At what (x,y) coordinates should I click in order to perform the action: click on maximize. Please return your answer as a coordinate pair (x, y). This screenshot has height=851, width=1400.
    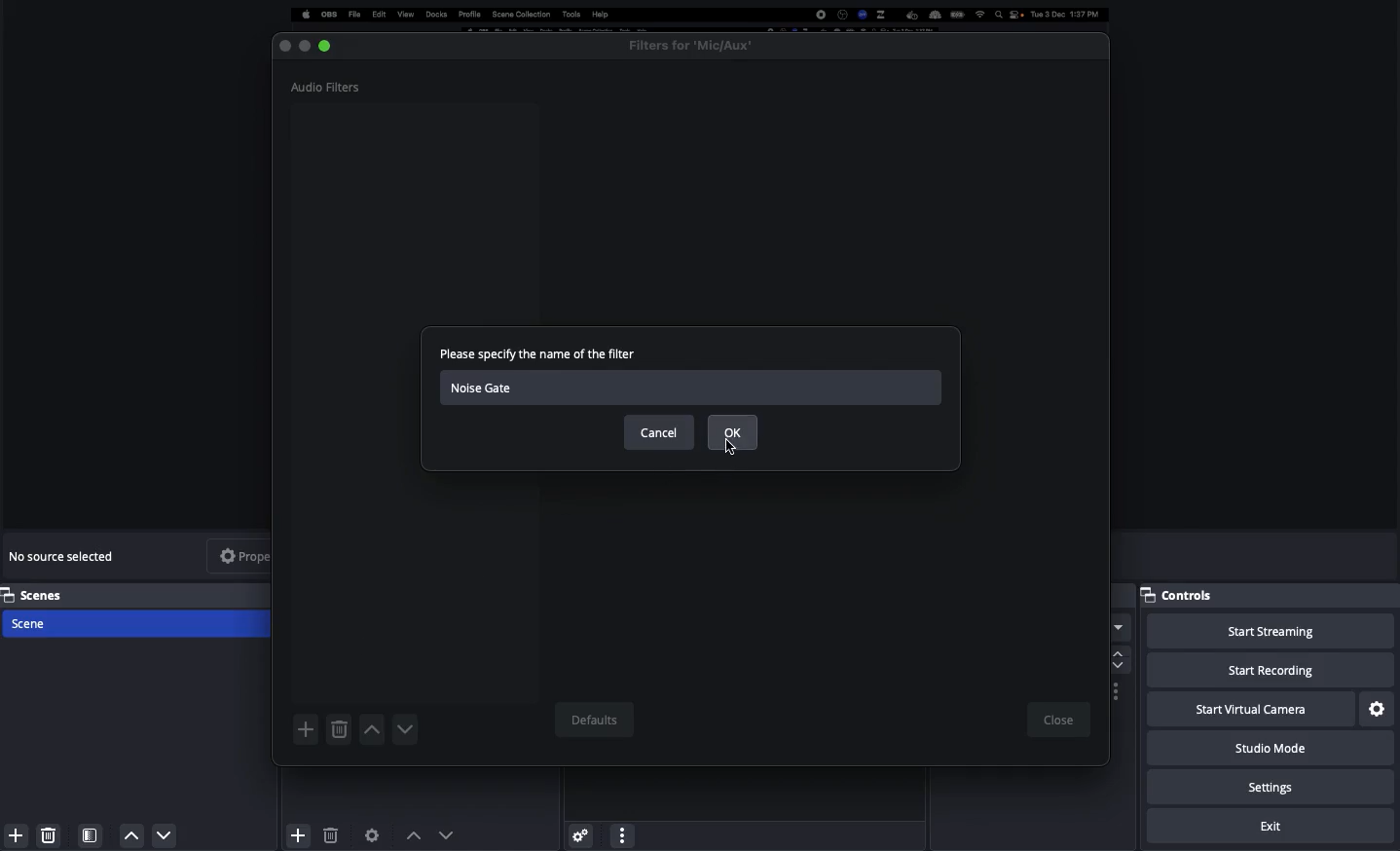
    Looking at the image, I should click on (303, 46).